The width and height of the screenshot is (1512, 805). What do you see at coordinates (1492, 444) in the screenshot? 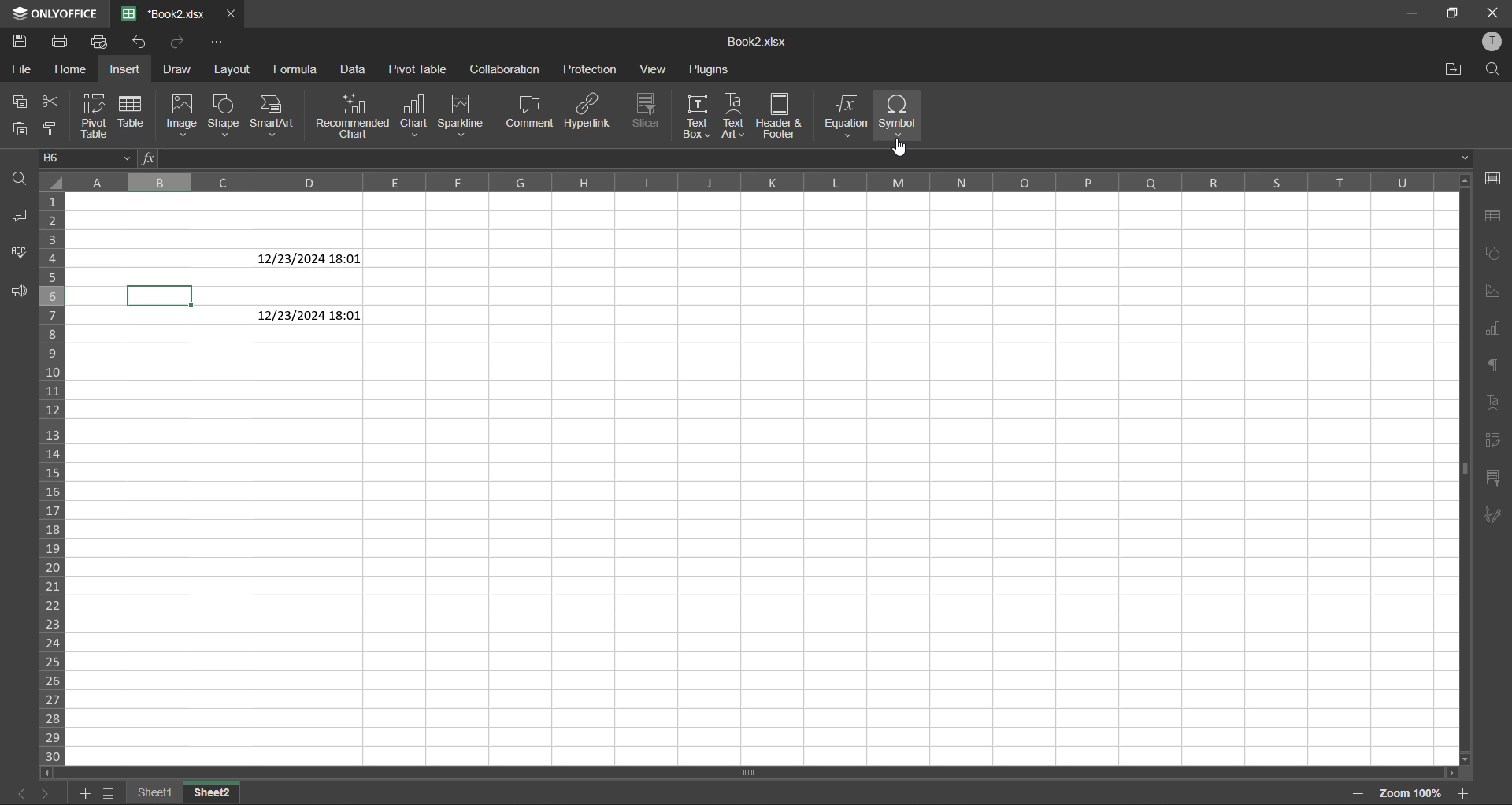
I see `pivot table` at bounding box center [1492, 444].